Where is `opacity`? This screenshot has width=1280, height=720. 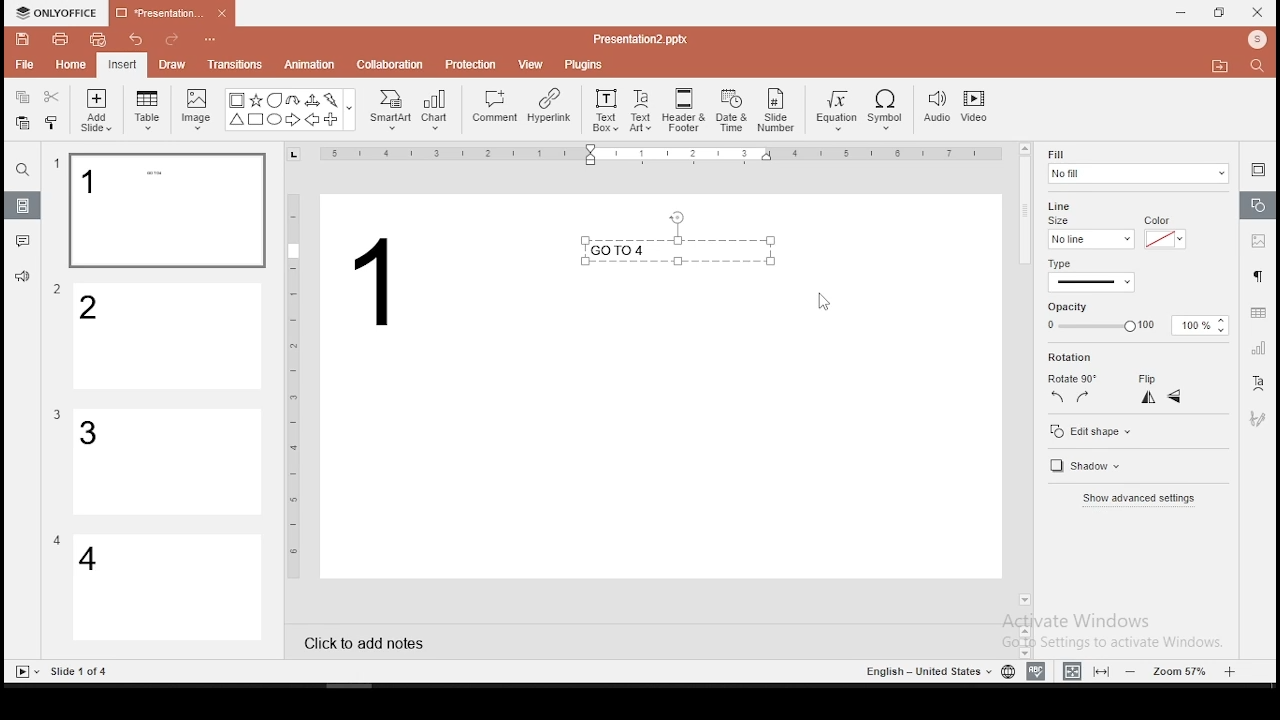 opacity is located at coordinates (1134, 326).